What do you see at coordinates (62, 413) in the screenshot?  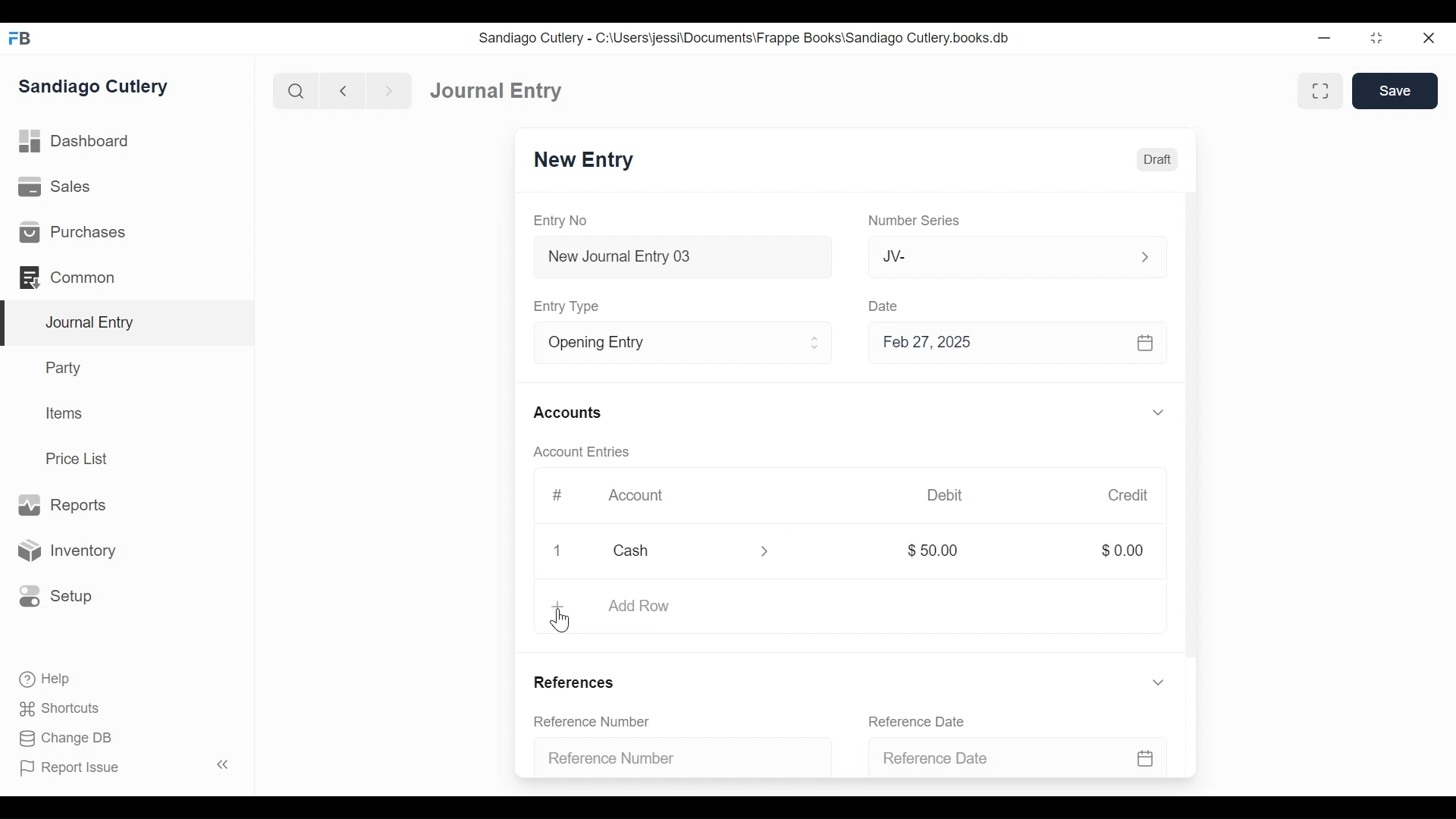 I see `Items` at bounding box center [62, 413].